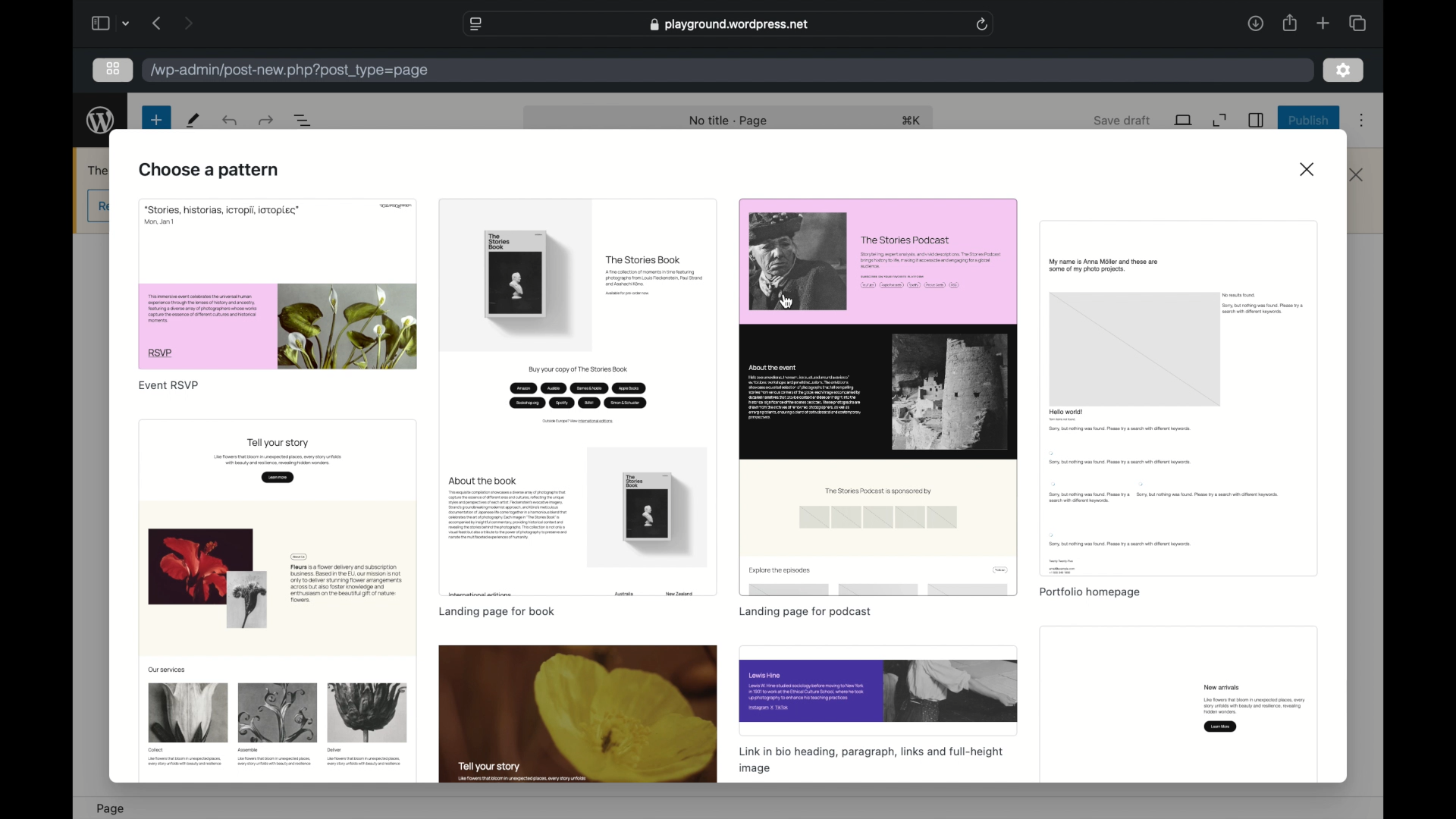  Describe the element at coordinates (1359, 175) in the screenshot. I see `close` at that location.